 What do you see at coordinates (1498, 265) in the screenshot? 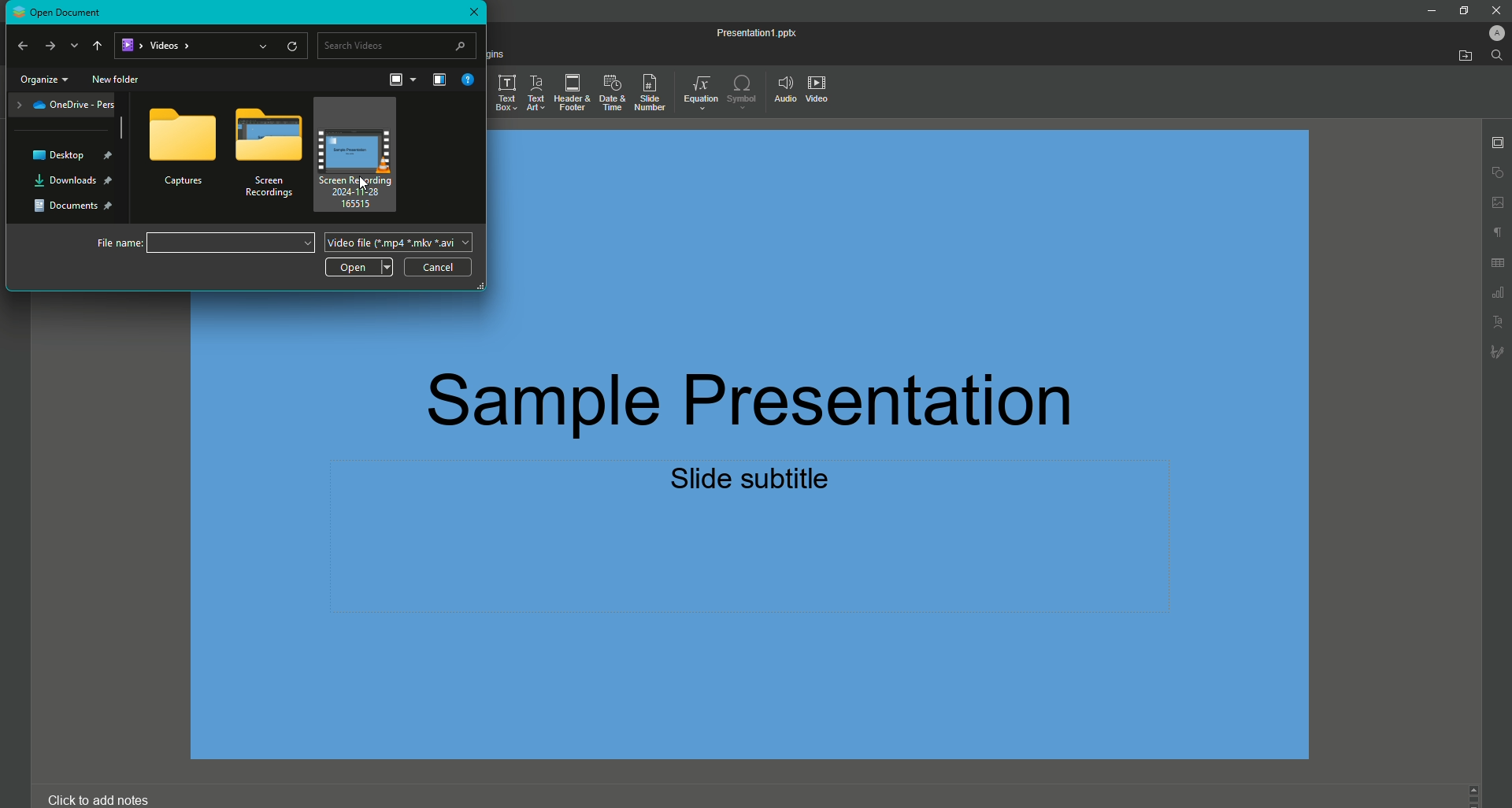
I see `Table settings` at bounding box center [1498, 265].